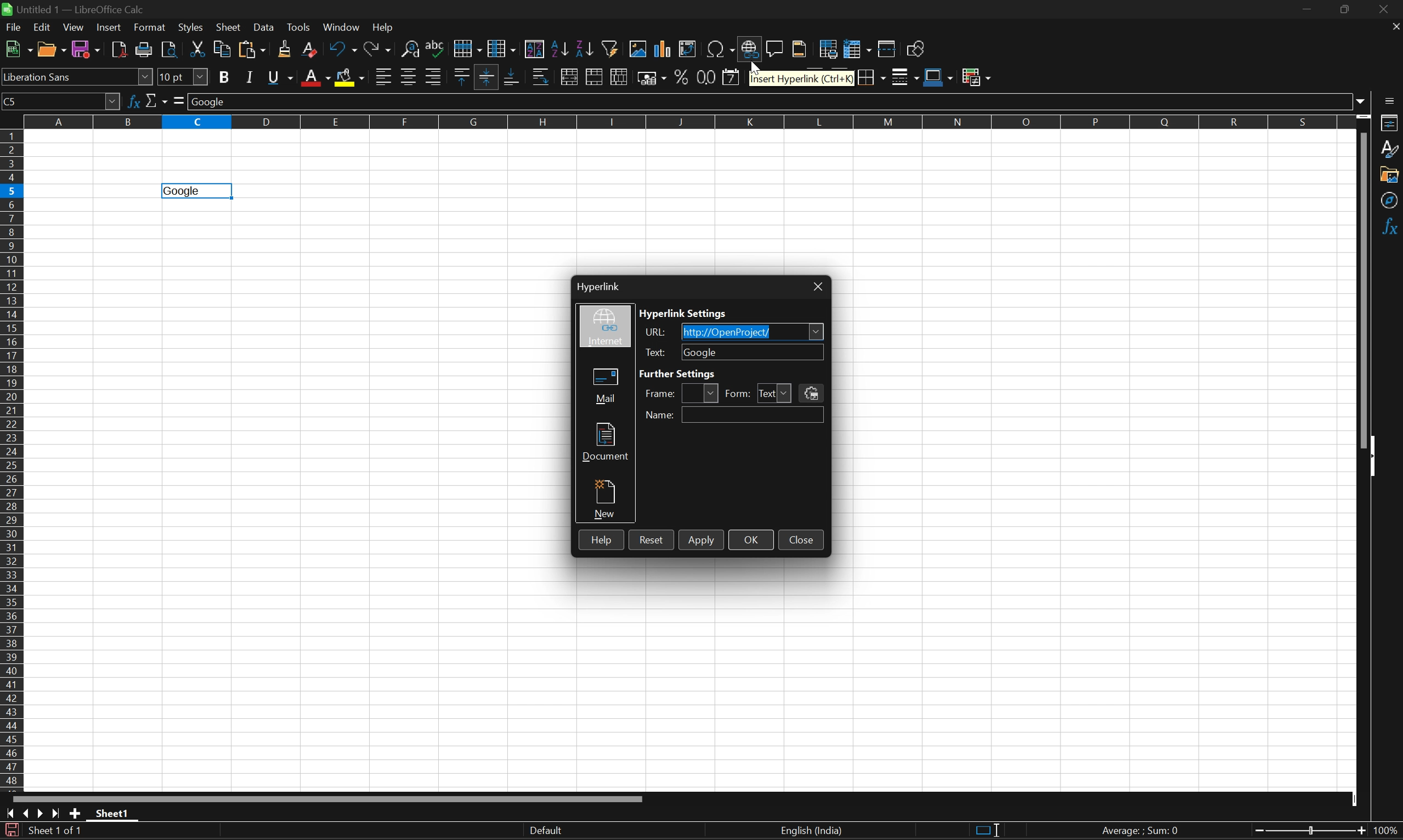  I want to click on Slider, so click(1309, 832).